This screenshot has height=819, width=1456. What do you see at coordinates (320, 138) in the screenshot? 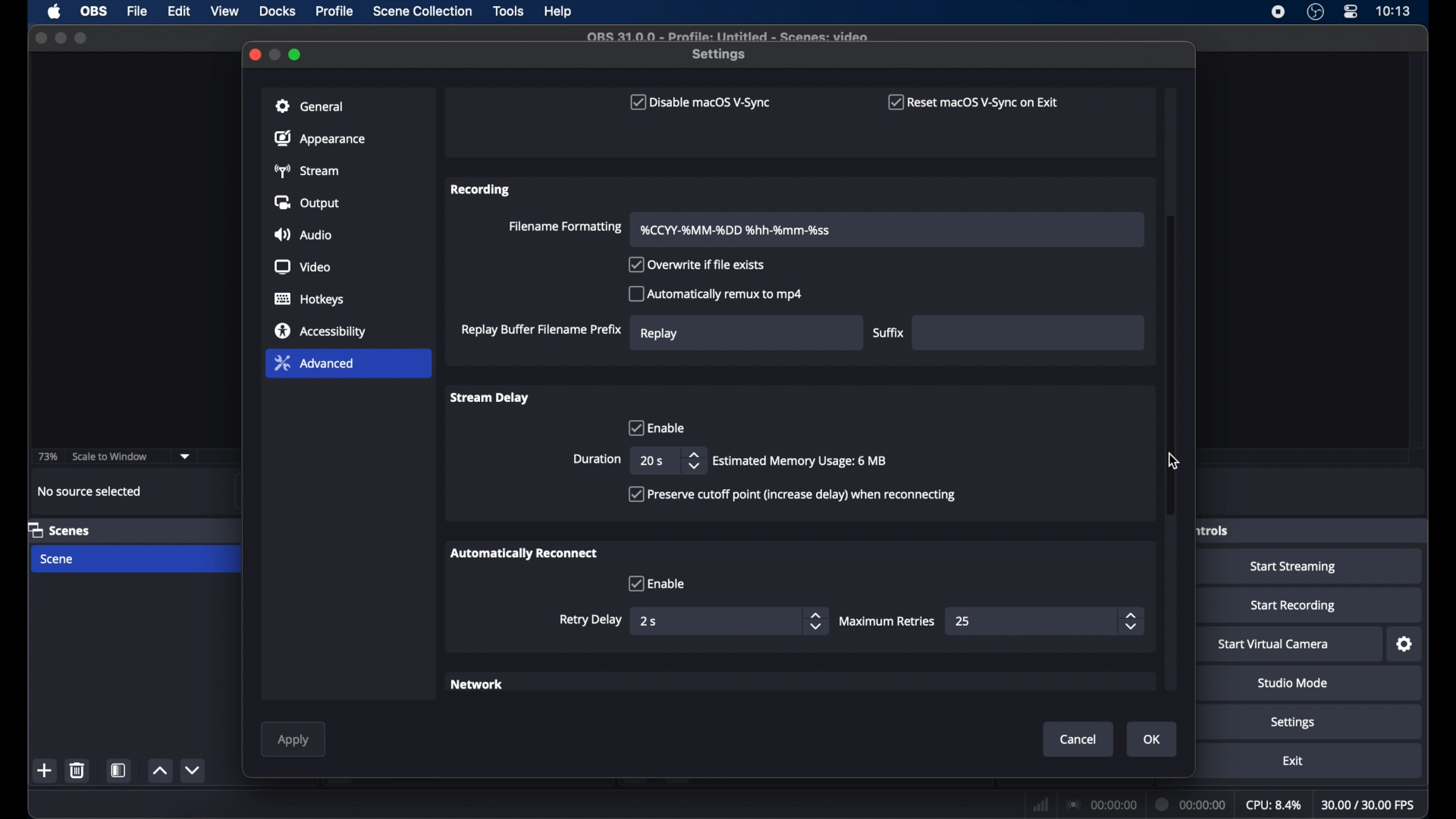
I see `appearance` at bounding box center [320, 138].